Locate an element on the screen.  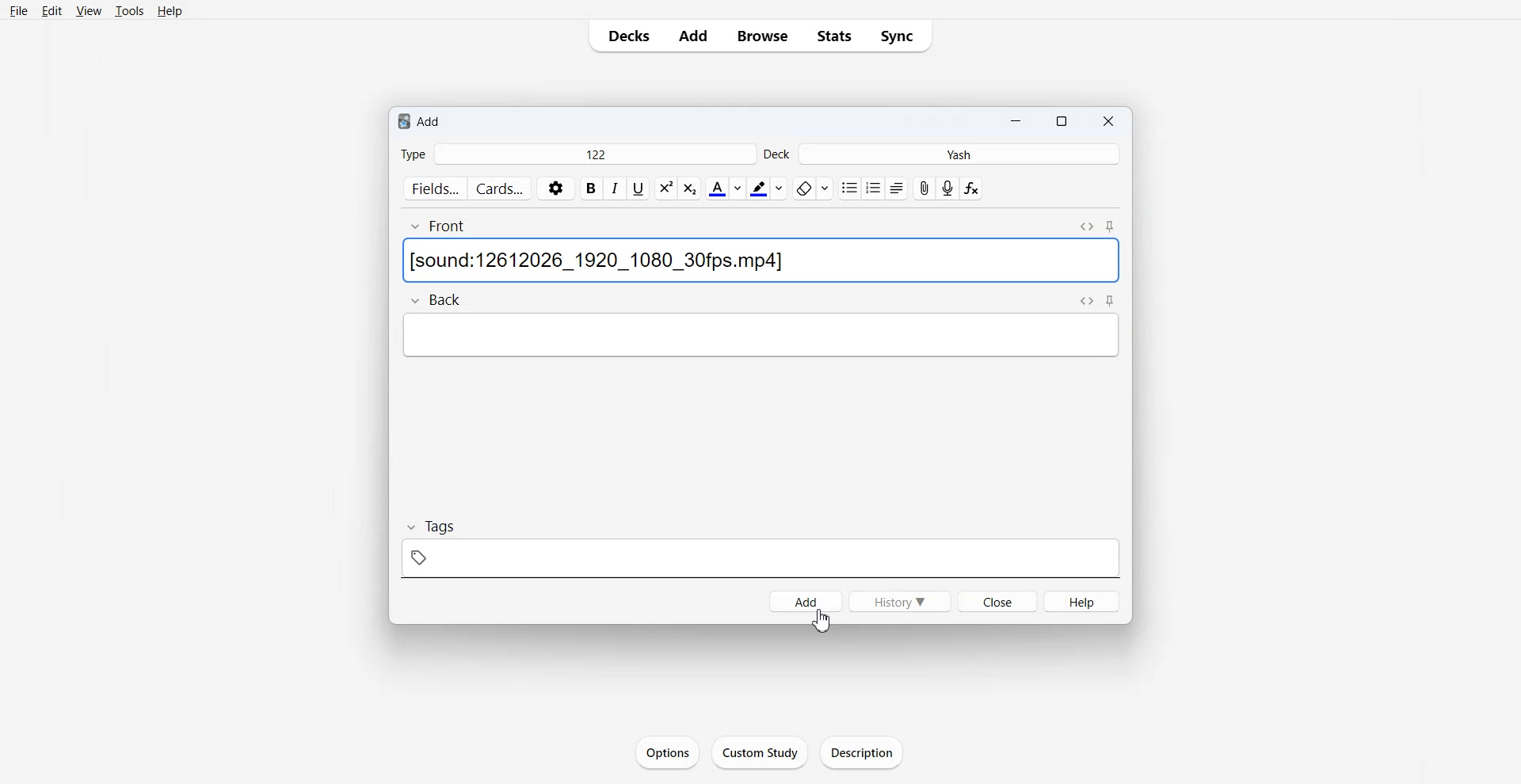
Tags is located at coordinates (436, 527).